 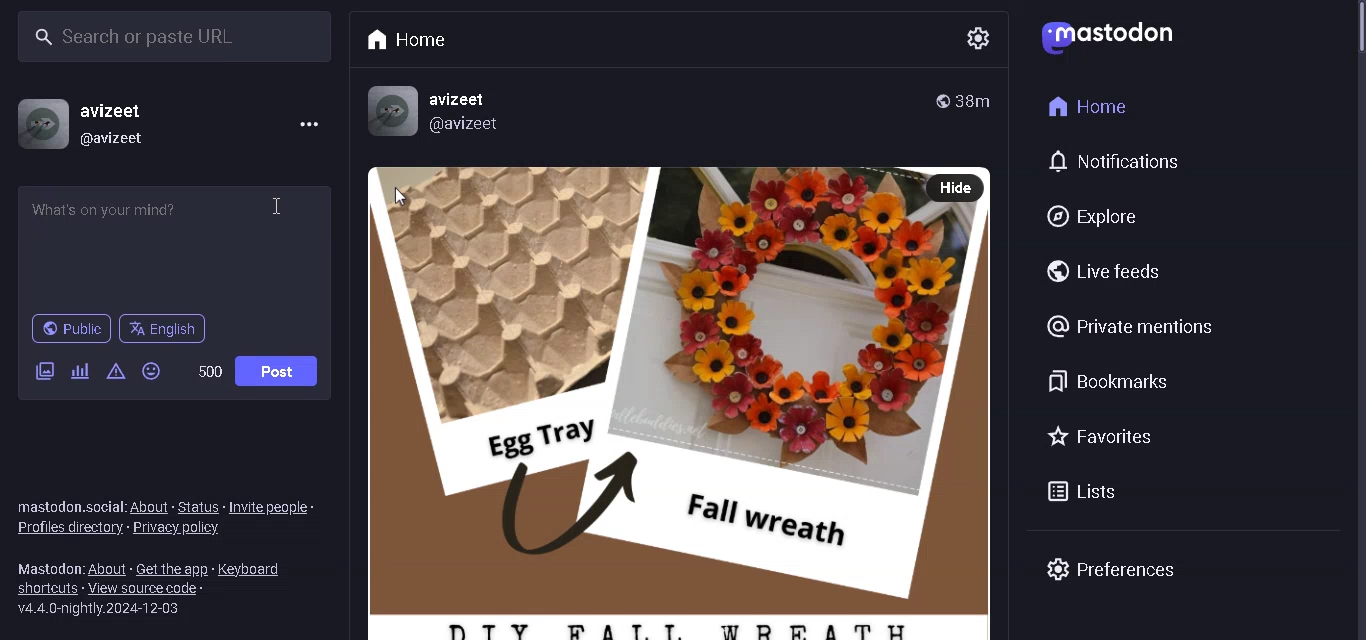 What do you see at coordinates (1111, 568) in the screenshot?
I see `preferences` at bounding box center [1111, 568].